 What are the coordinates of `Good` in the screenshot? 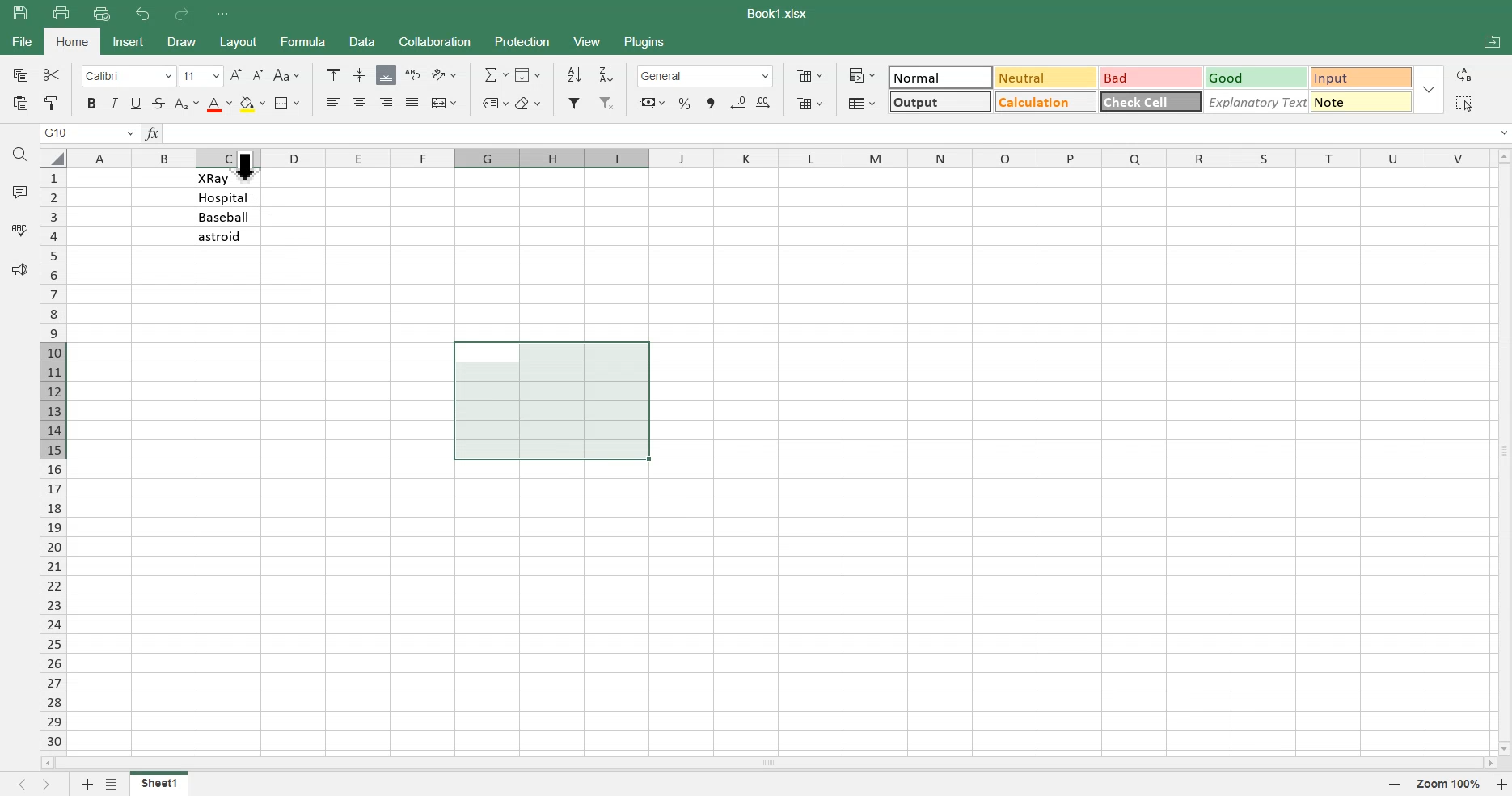 It's located at (1252, 75).